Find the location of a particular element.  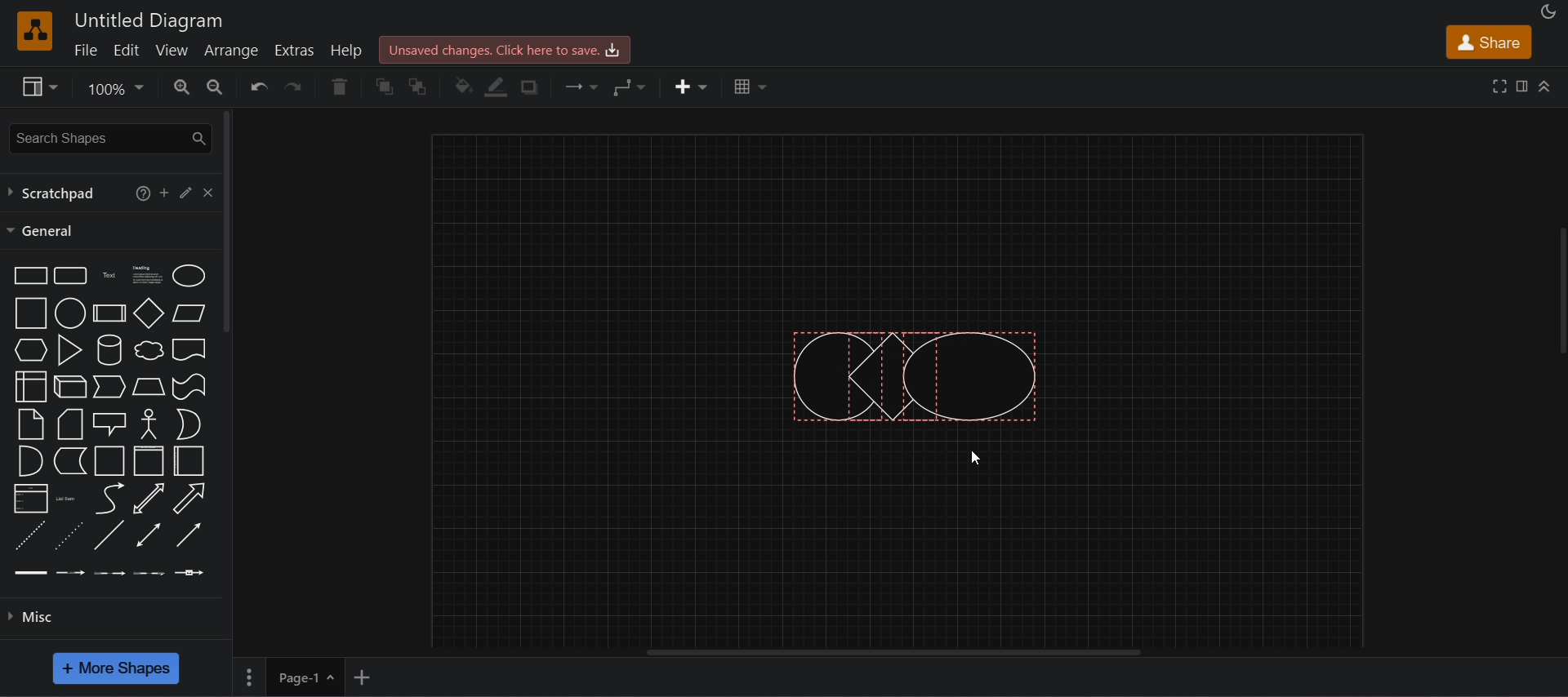

view is located at coordinates (38, 87).